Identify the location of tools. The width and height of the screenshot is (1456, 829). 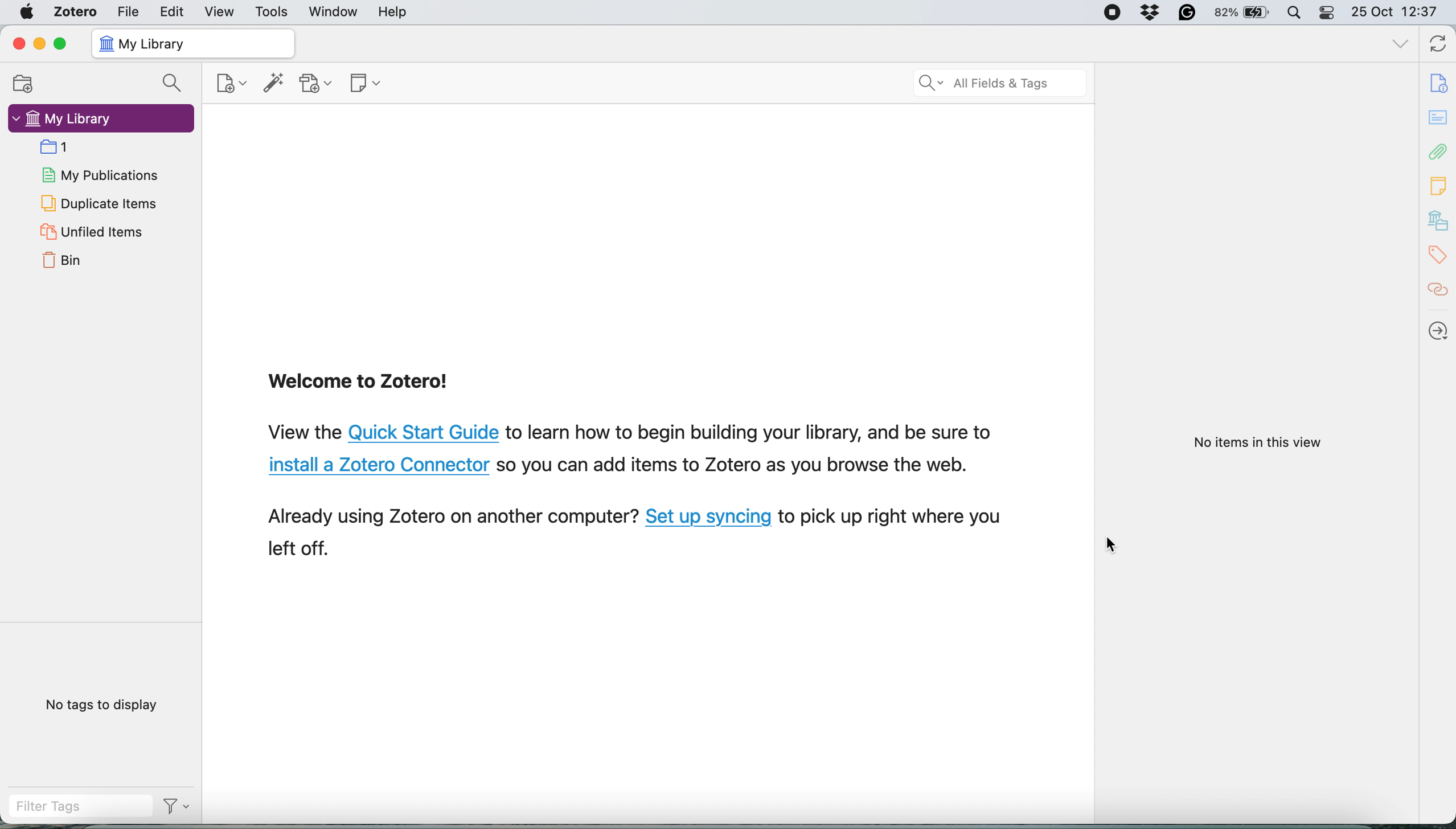
(273, 12).